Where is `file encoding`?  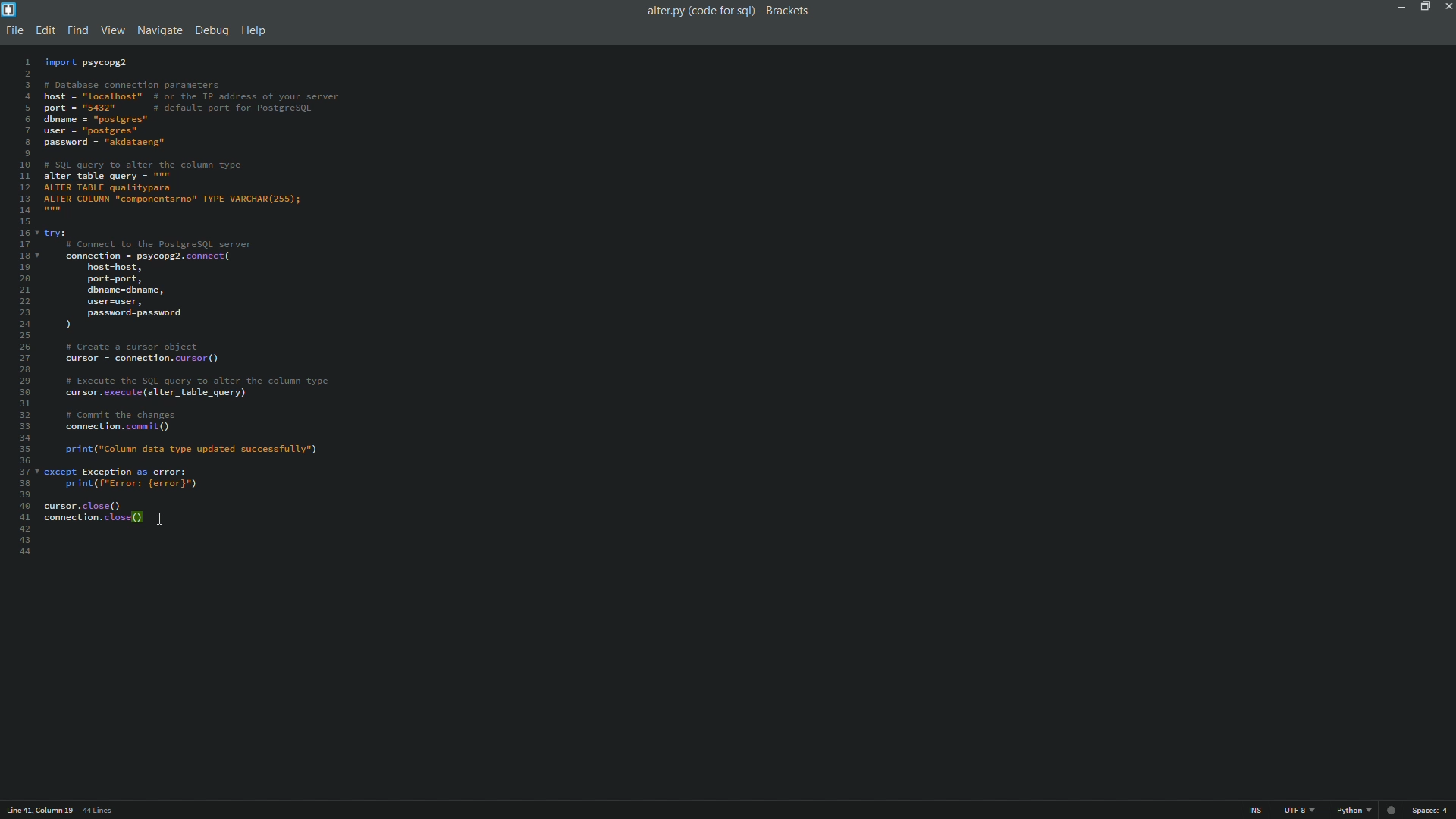 file encoding is located at coordinates (1298, 811).